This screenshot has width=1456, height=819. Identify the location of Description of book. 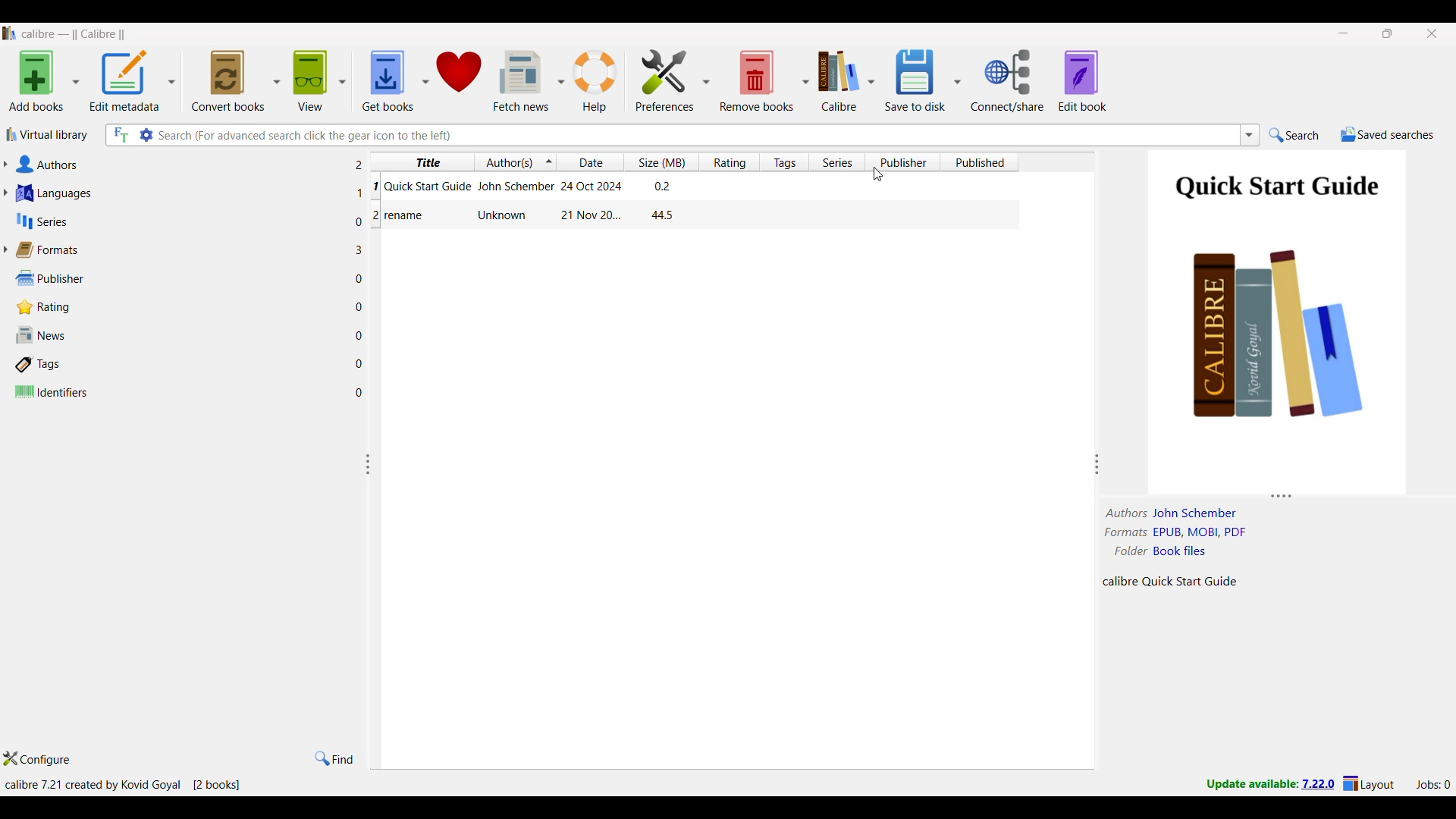
(1184, 581).